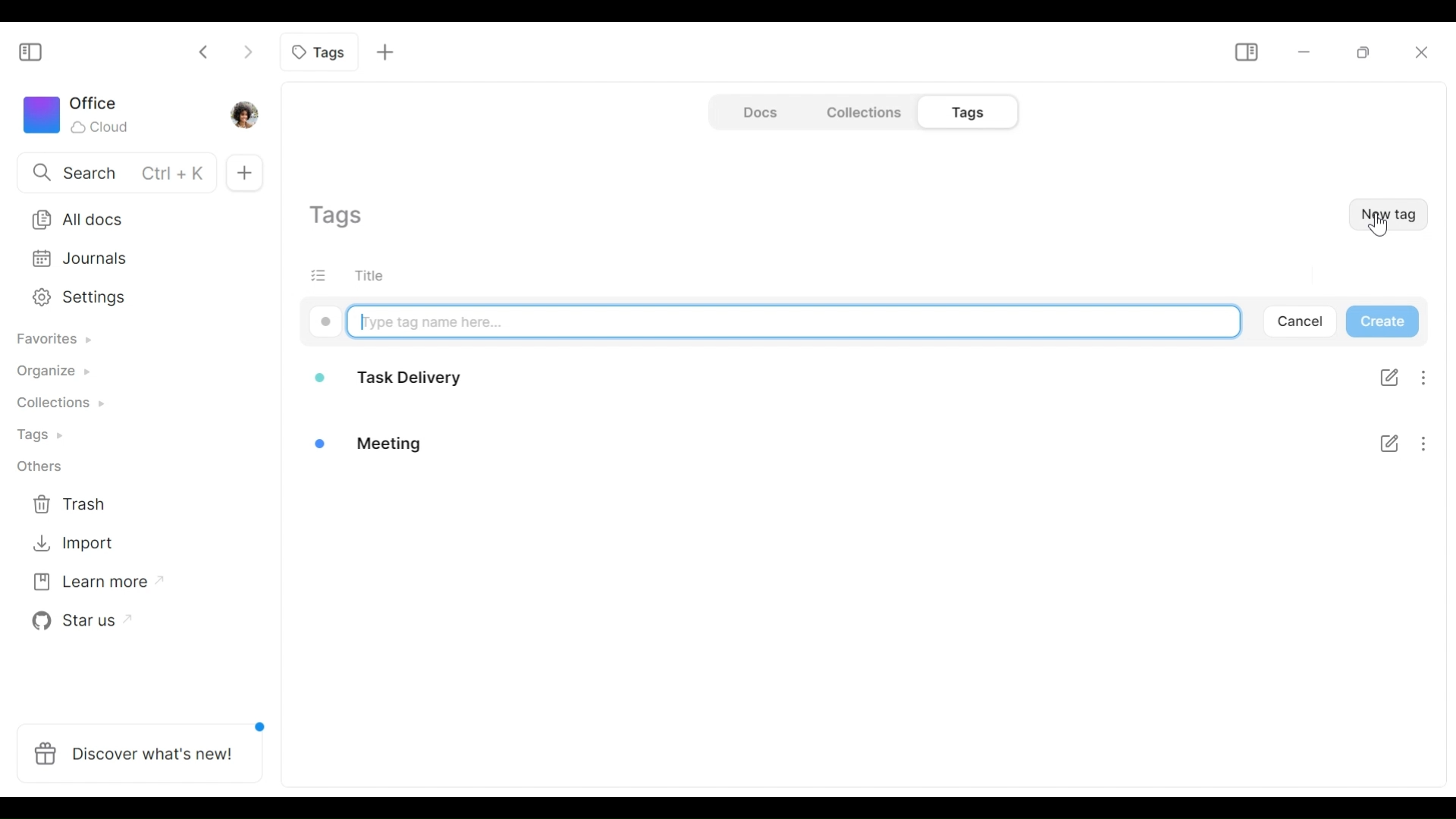  I want to click on Organize, so click(57, 372).